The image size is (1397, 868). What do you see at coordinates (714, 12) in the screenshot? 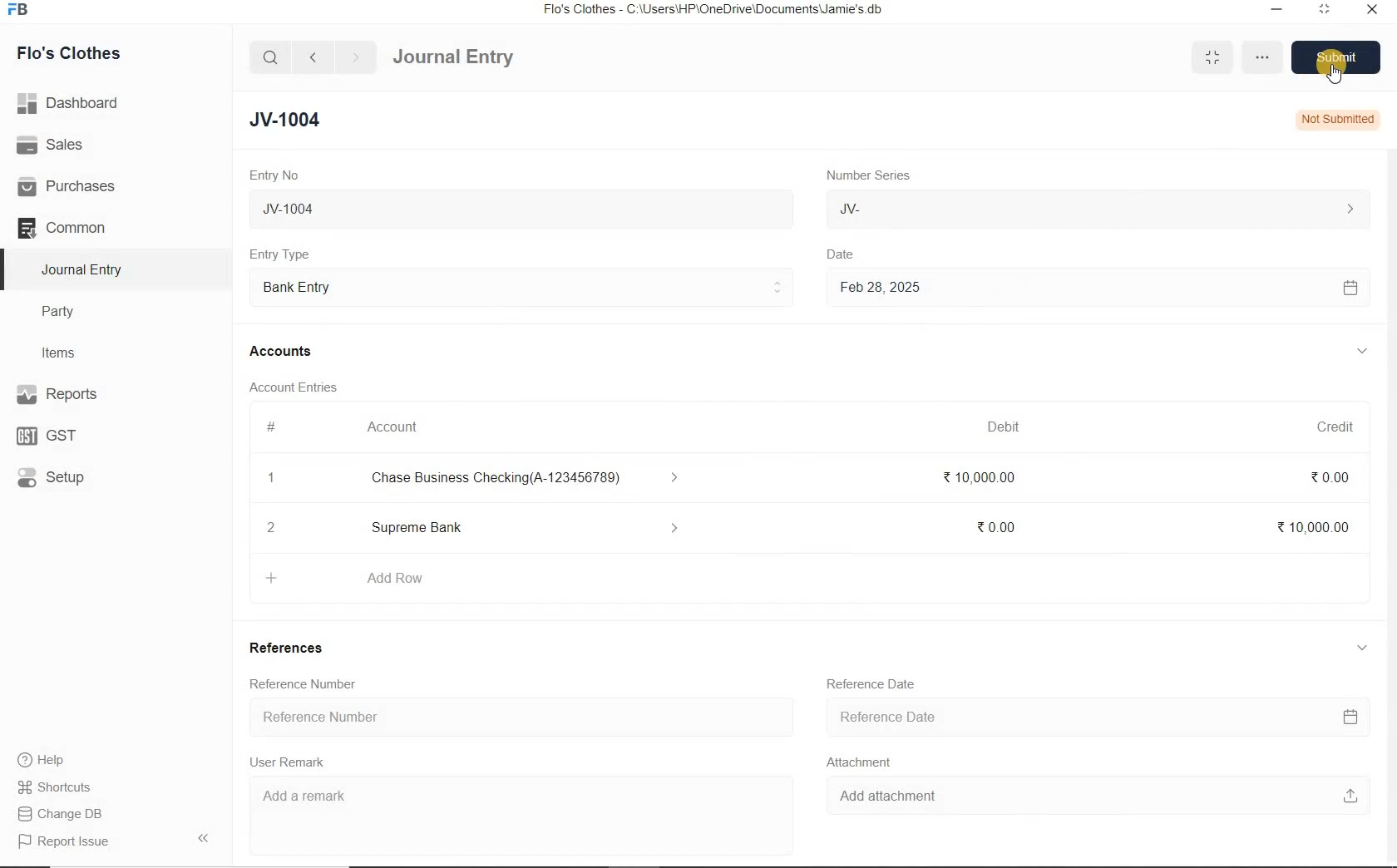
I see `Flo's Clothes - C:\Users\HP\OneDrive\Documents\Jamie's.db` at bounding box center [714, 12].